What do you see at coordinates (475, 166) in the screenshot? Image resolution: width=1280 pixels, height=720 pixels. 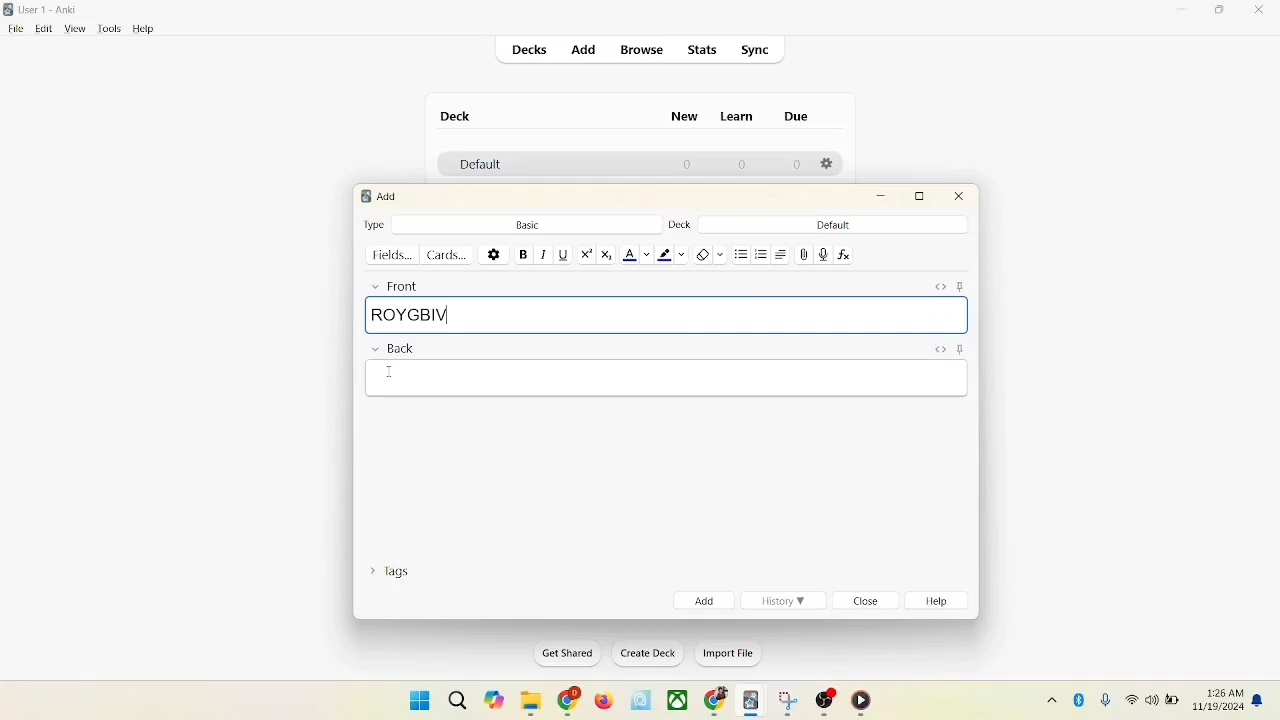 I see `default` at bounding box center [475, 166].